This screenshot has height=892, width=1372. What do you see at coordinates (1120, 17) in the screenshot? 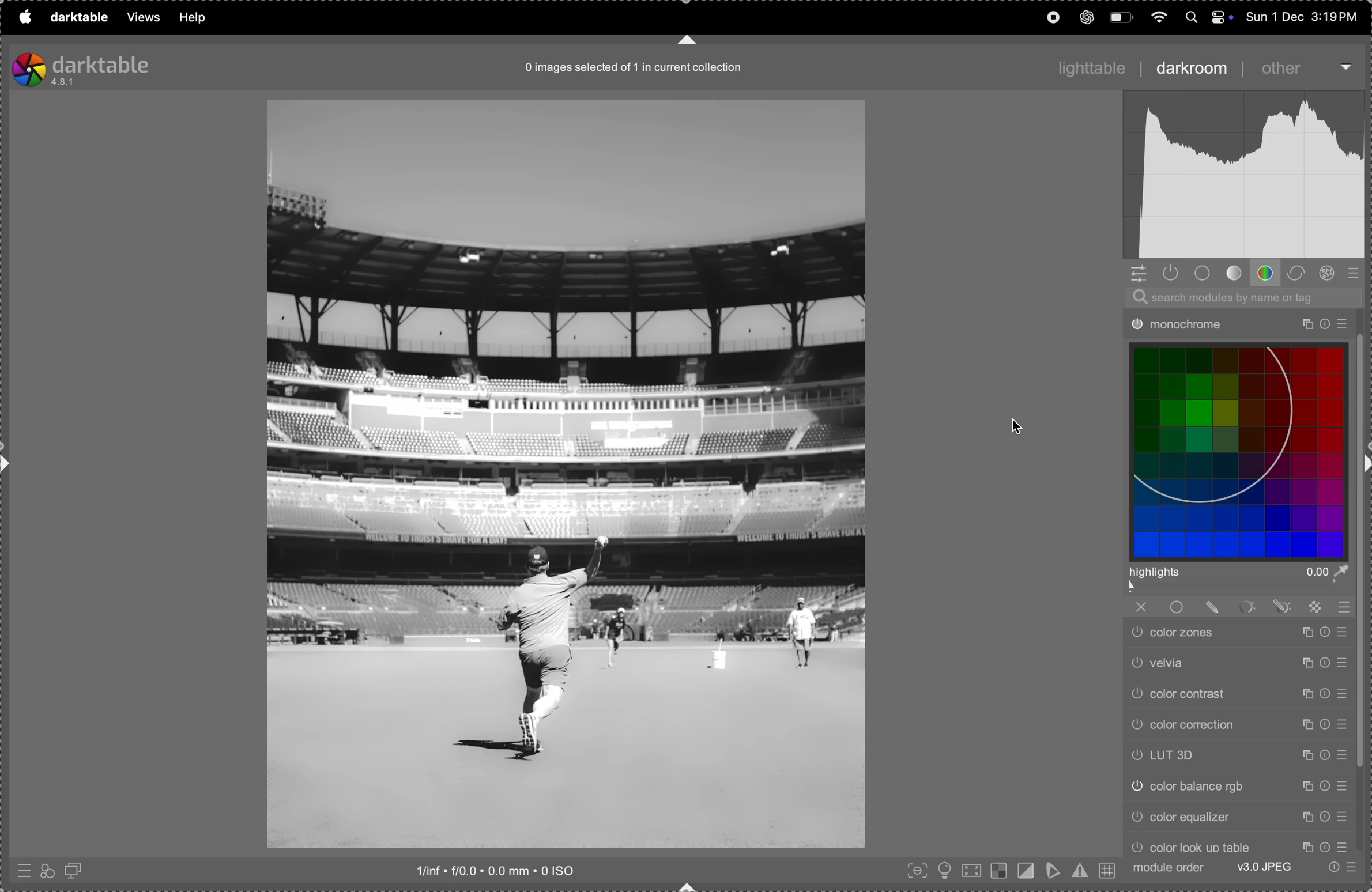
I see `battery` at bounding box center [1120, 17].